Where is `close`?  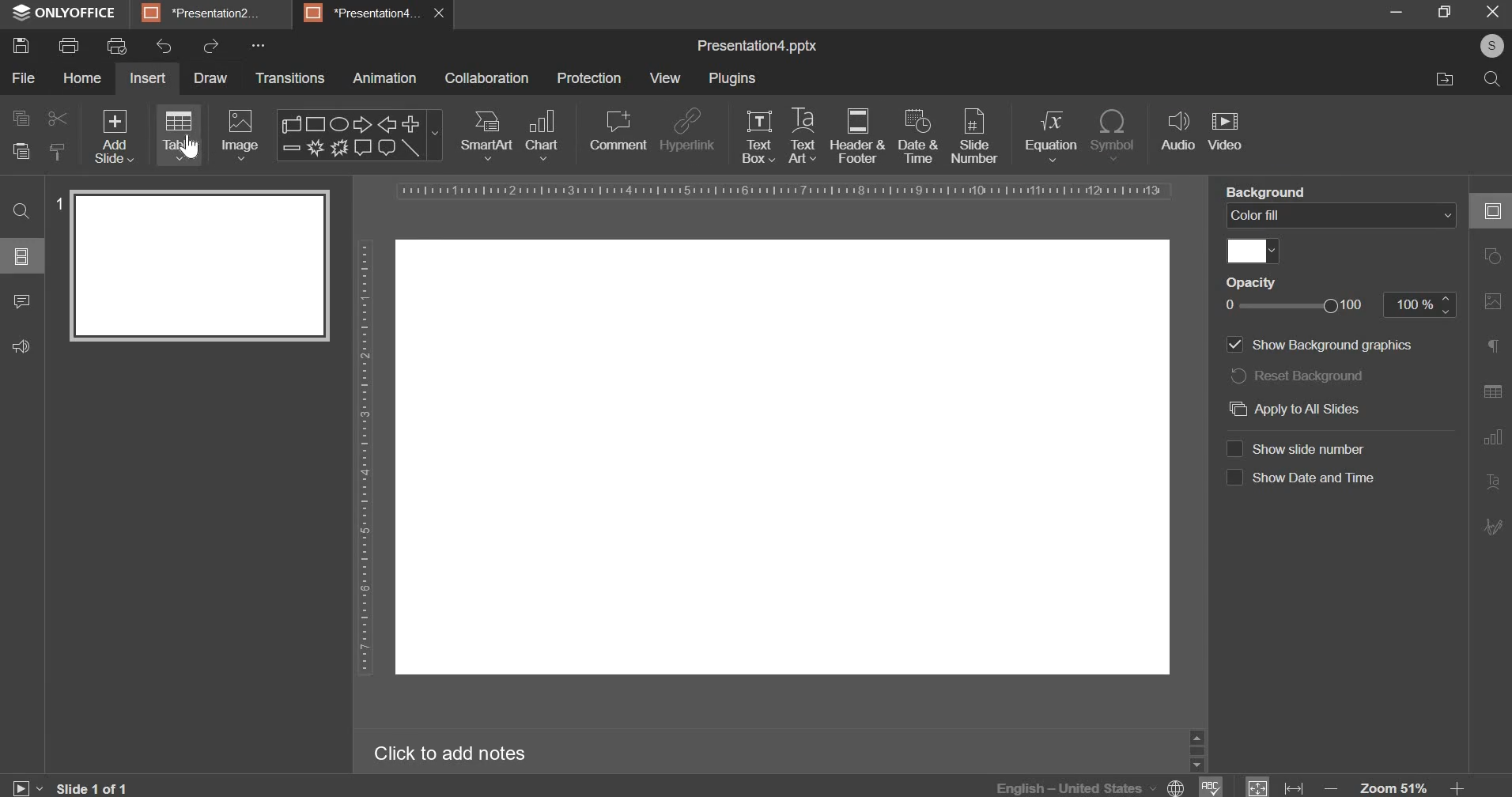 close is located at coordinates (1492, 12).